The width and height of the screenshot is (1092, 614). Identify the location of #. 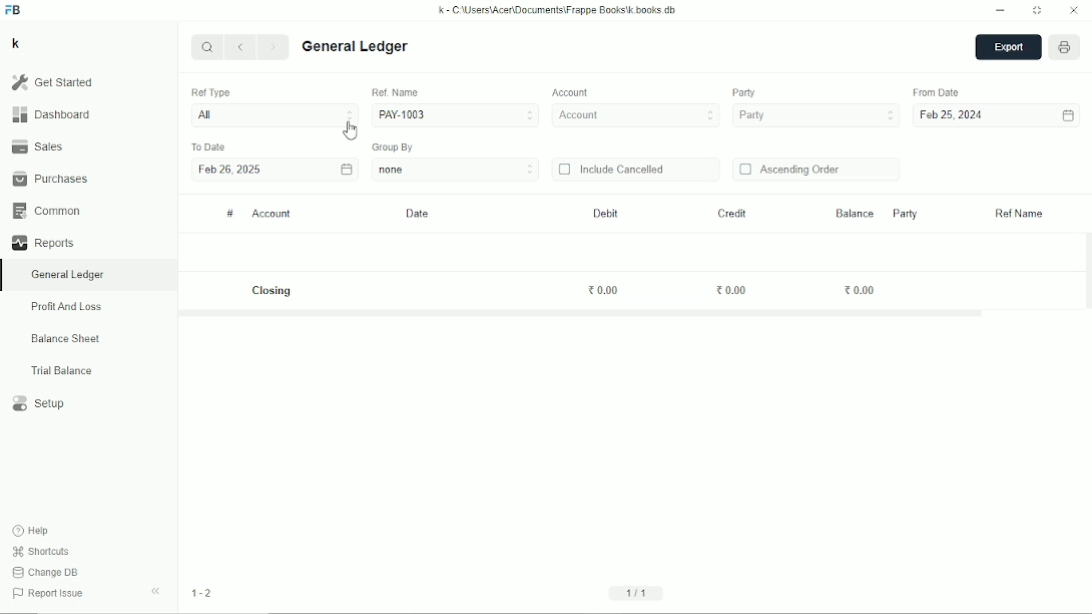
(230, 214).